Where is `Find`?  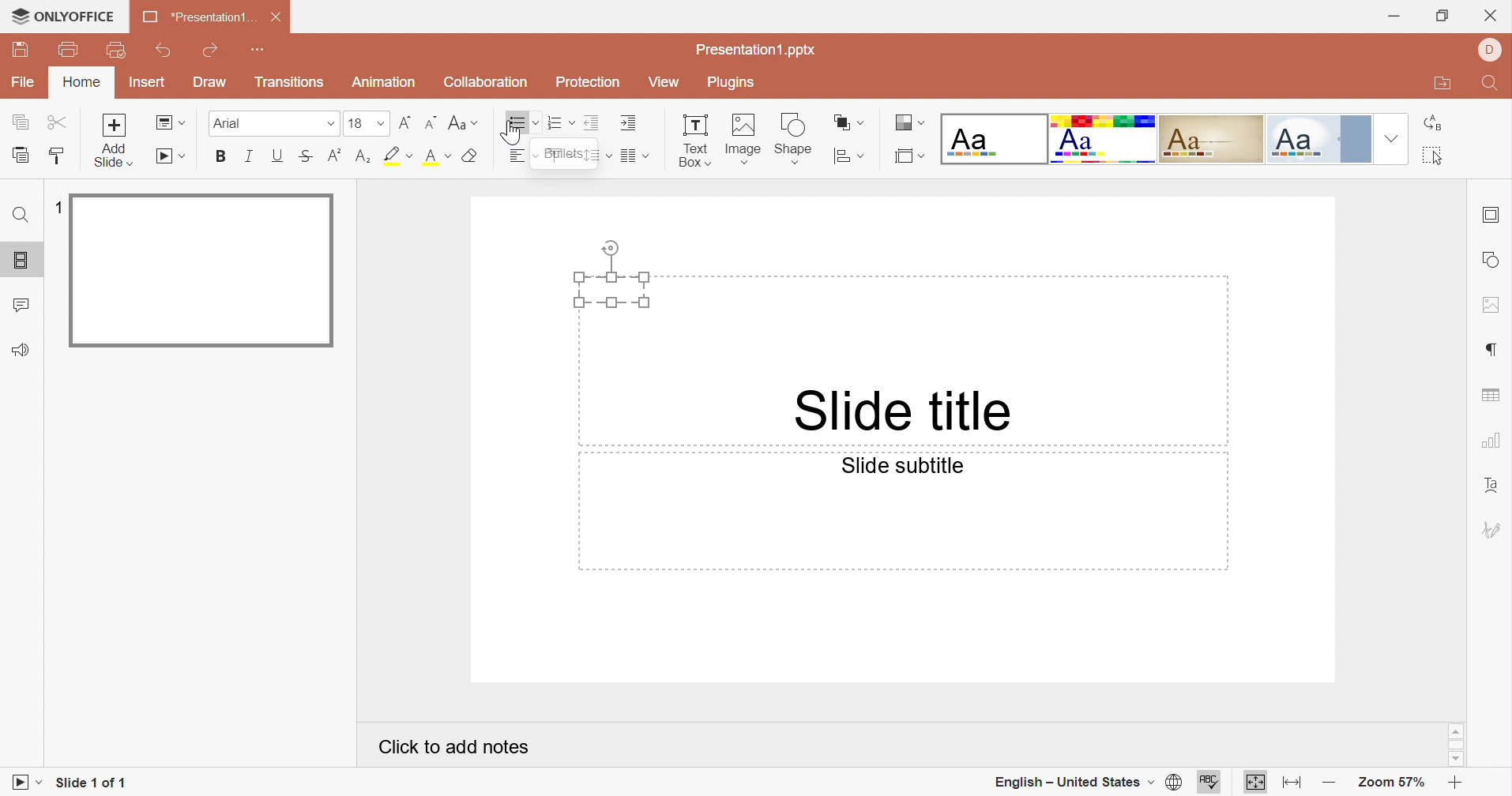
Find is located at coordinates (1490, 85).